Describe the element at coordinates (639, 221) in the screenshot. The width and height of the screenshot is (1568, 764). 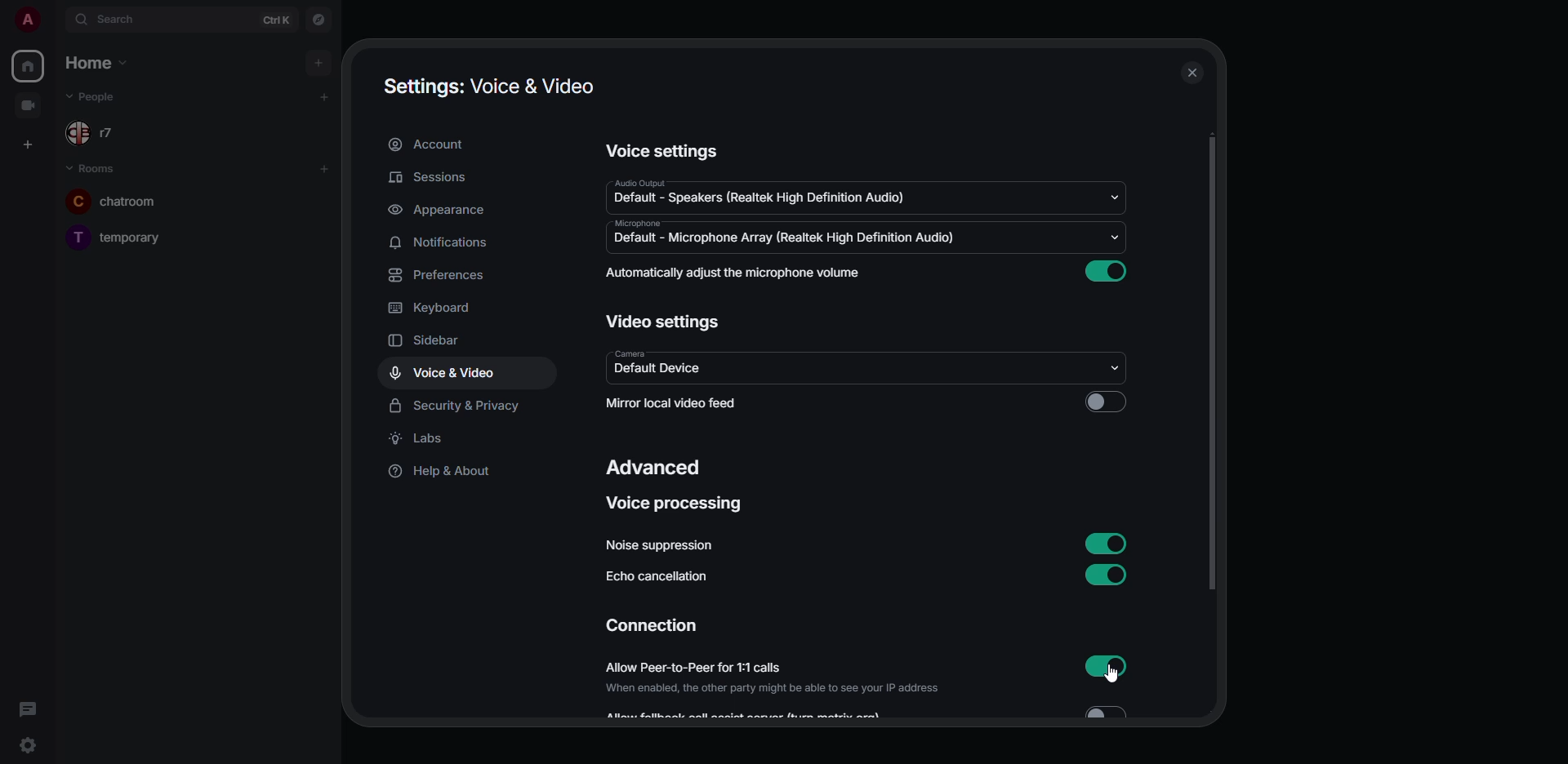
I see `microphone` at that location.